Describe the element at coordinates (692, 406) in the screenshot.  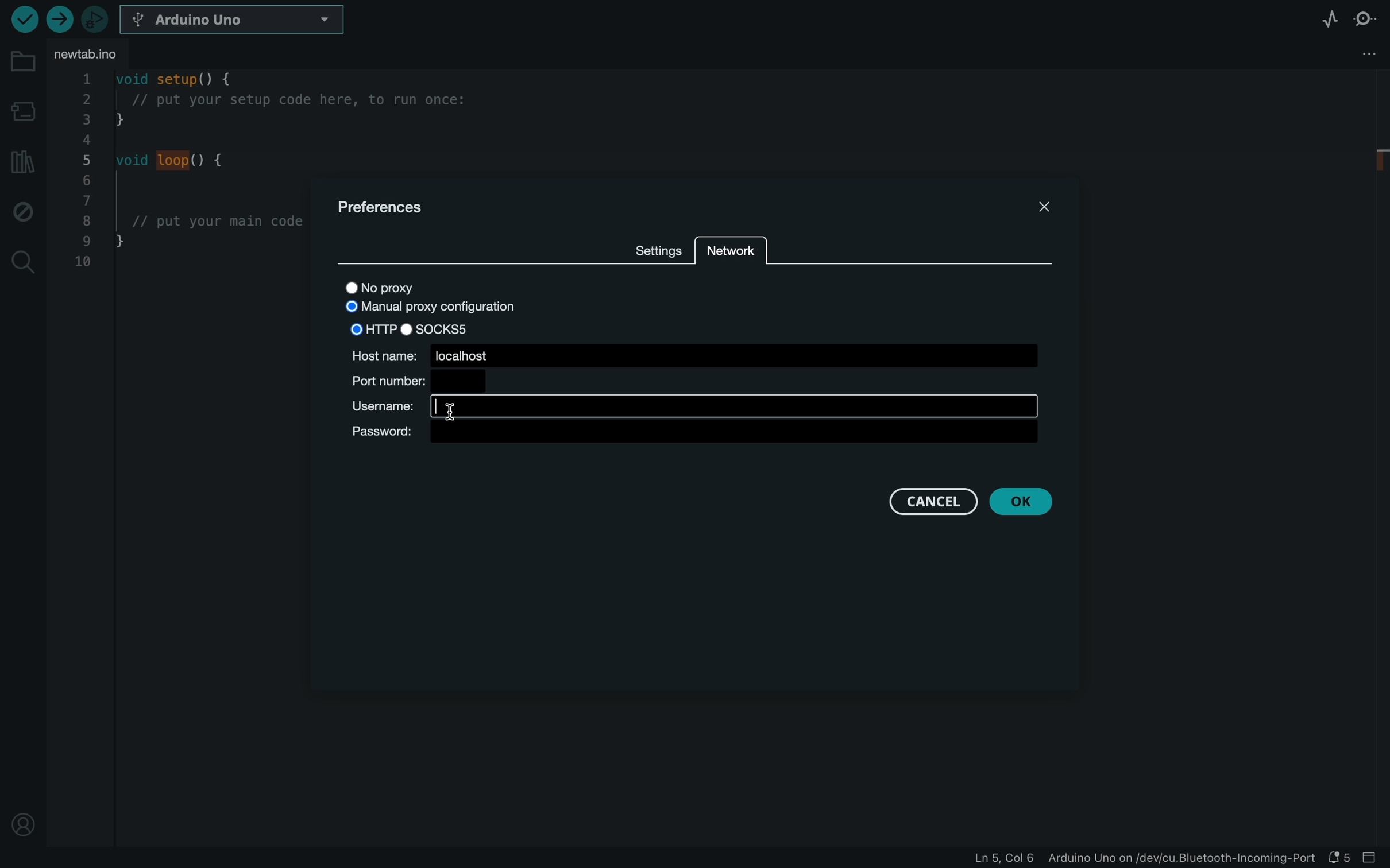
I see `start typing` at that location.